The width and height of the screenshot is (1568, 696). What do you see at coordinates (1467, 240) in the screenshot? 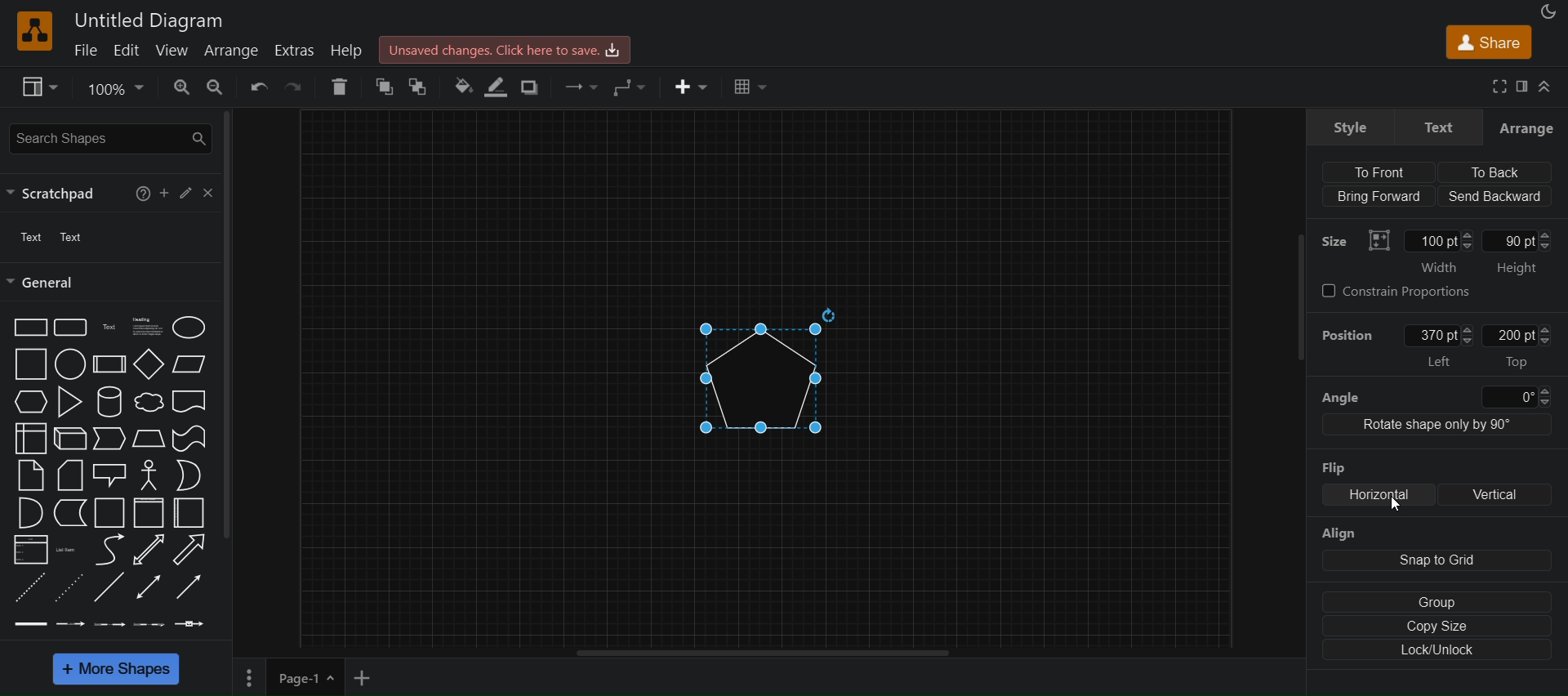
I see `Increase/Decrease width` at bounding box center [1467, 240].